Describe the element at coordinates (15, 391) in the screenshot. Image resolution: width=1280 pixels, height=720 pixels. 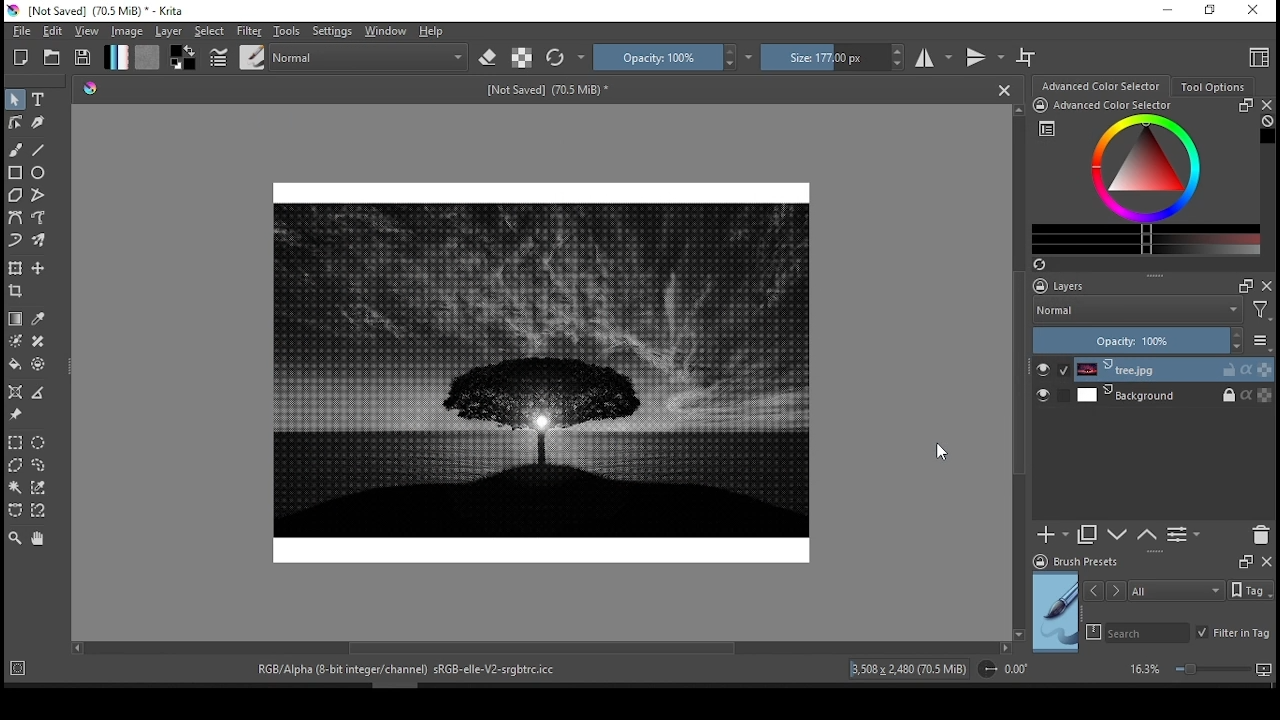
I see `assistant tool` at that location.